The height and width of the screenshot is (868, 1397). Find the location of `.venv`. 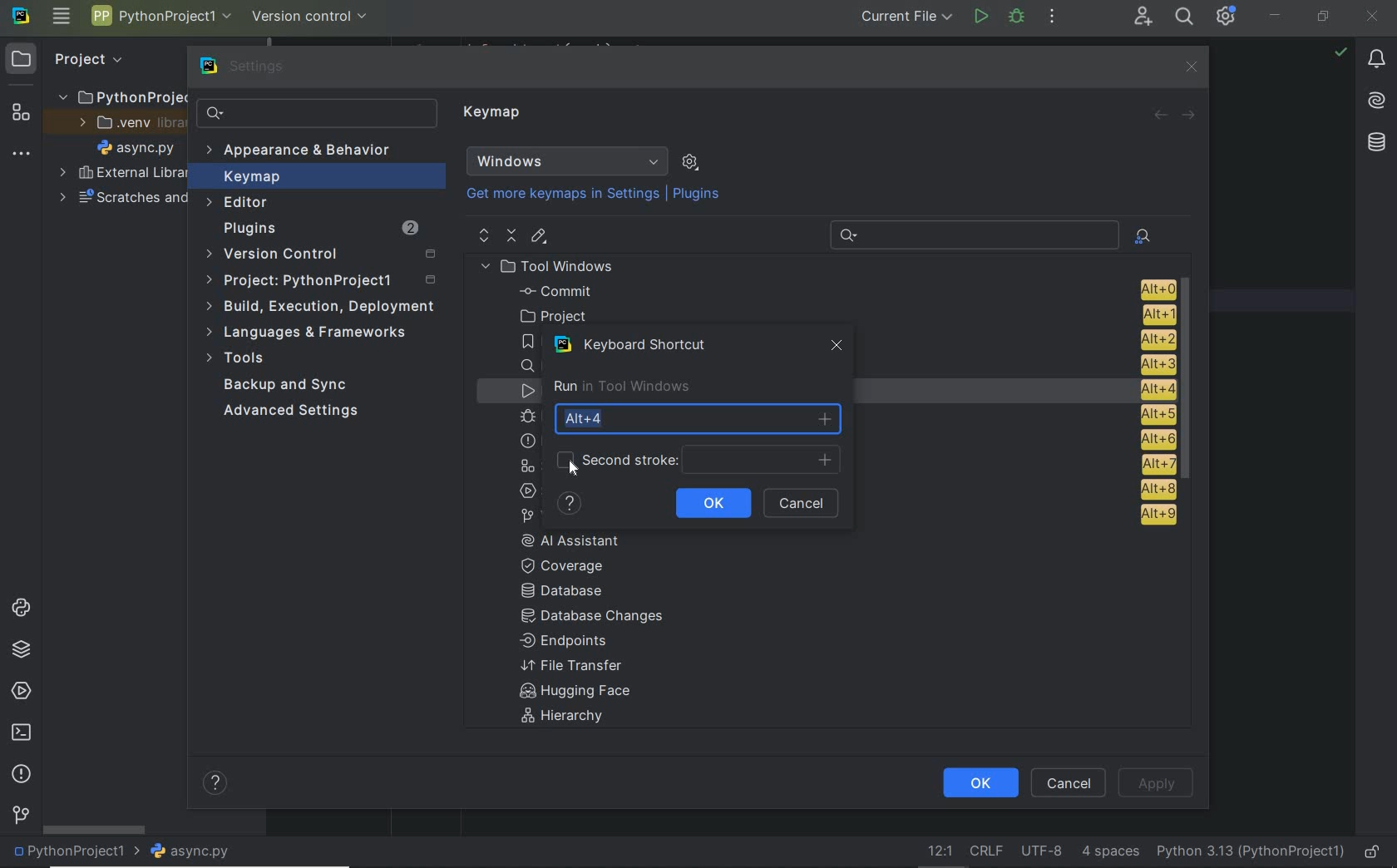

.venv is located at coordinates (124, 123).